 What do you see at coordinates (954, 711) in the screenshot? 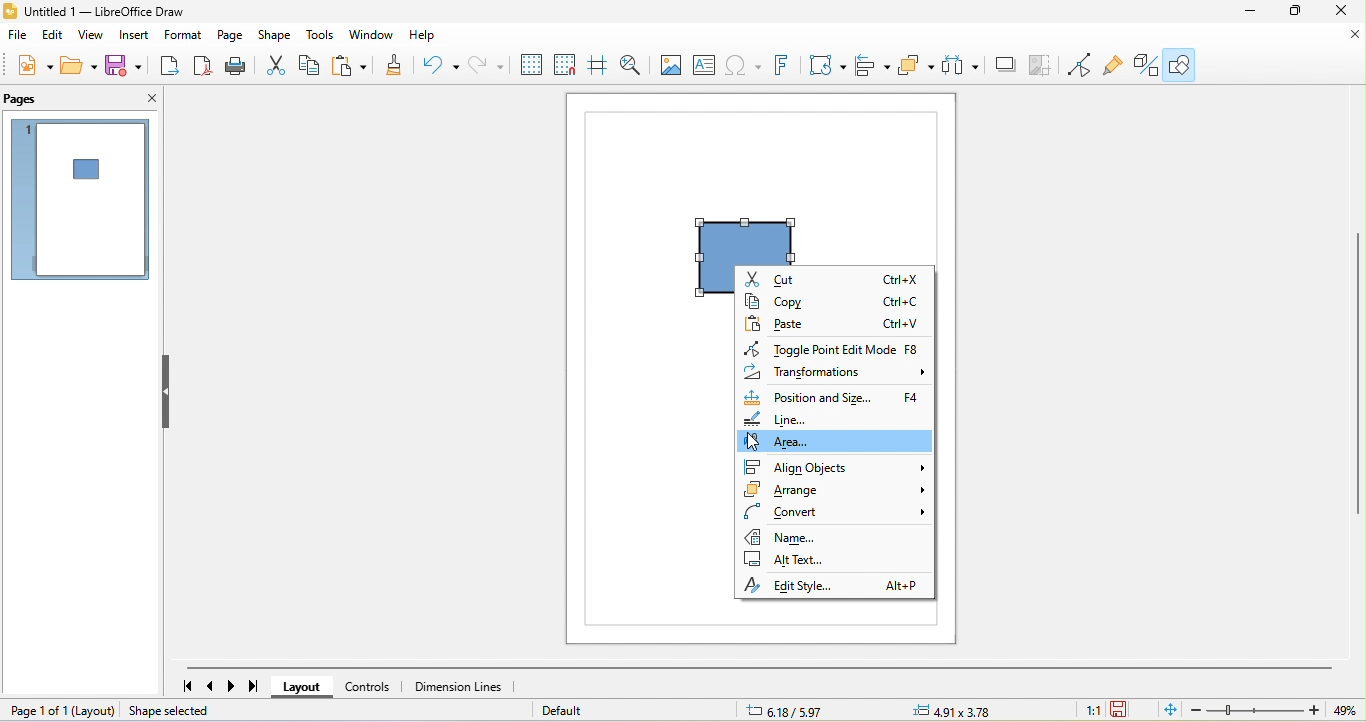
I see `4.91/3.78` at bounding box center [954, 711].